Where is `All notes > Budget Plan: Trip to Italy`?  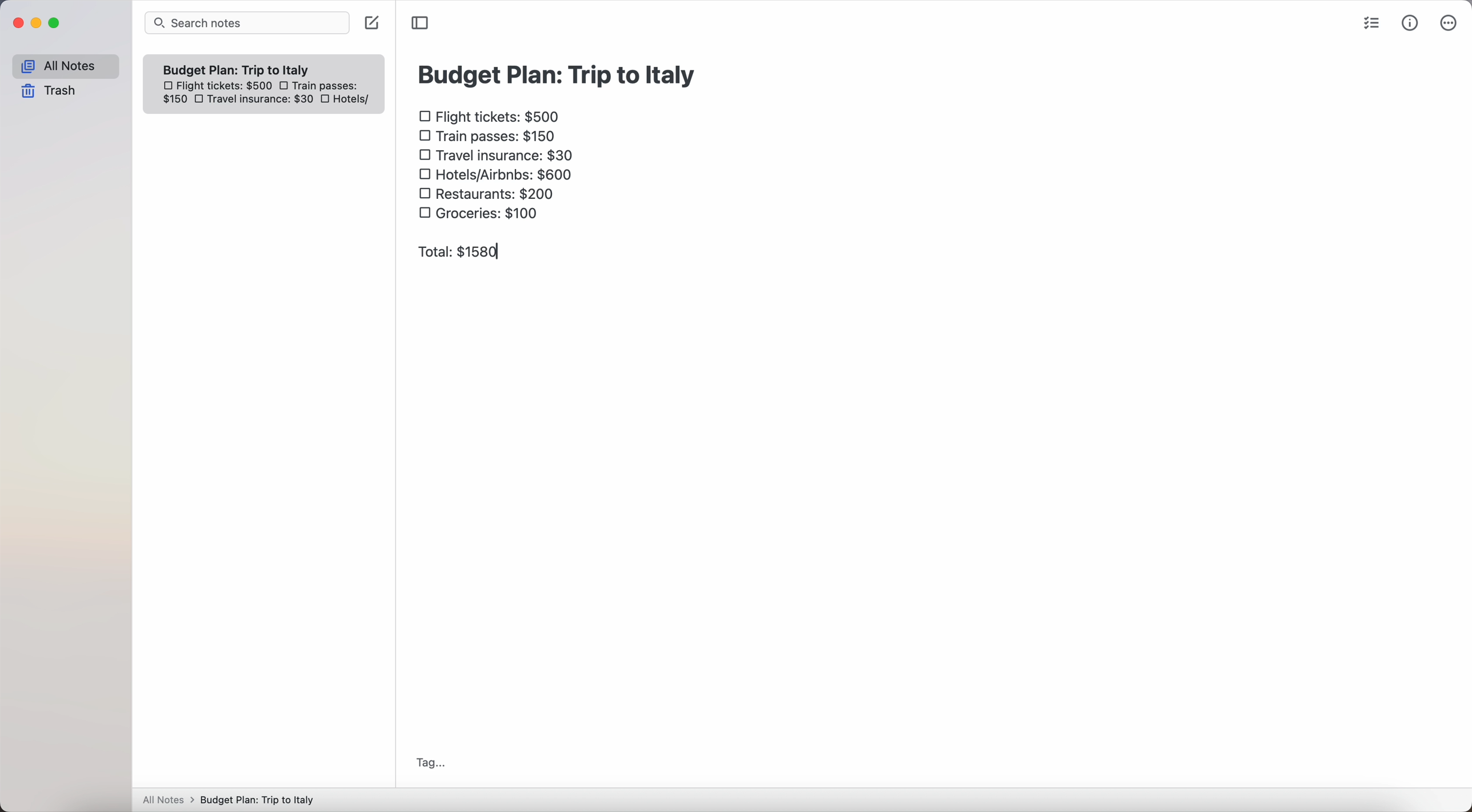 All notes > Budget Plan: Trip to Italy is located at coordinates (234, 799).